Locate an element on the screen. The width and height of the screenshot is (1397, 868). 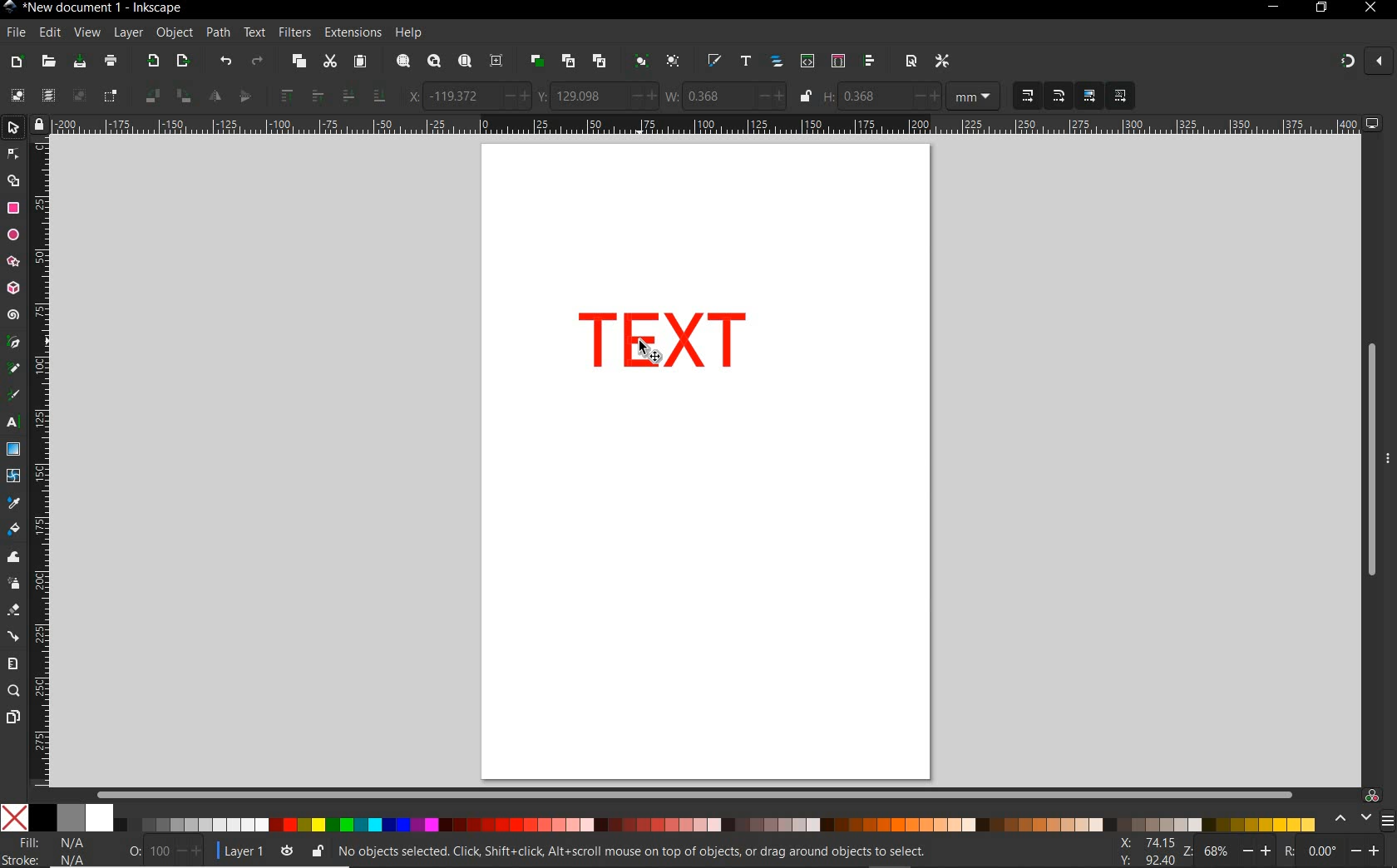
PENCIL TOOL is located at coordinates (13, 369).